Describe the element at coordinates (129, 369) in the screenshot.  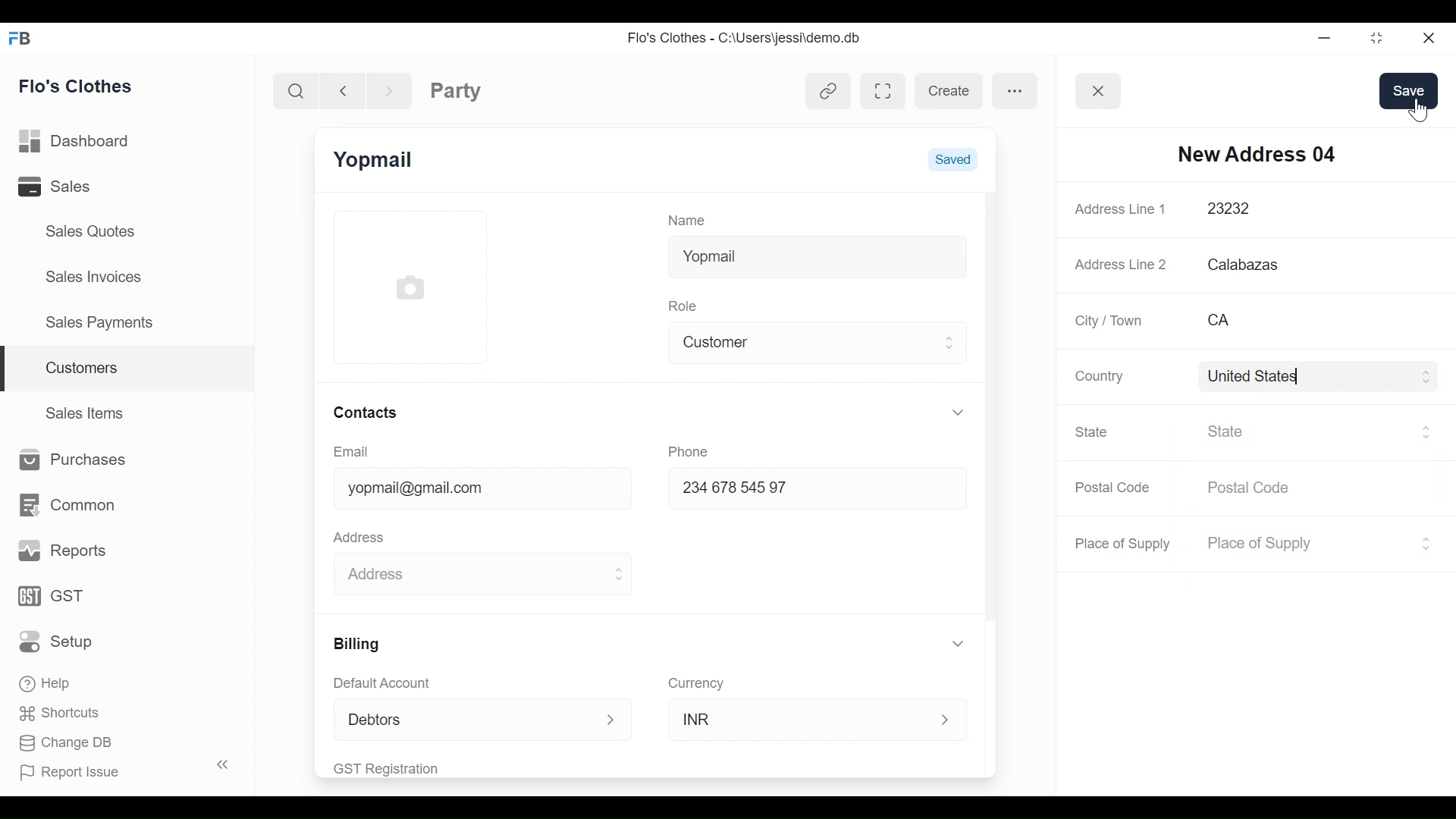
I see `Customers` at that location.